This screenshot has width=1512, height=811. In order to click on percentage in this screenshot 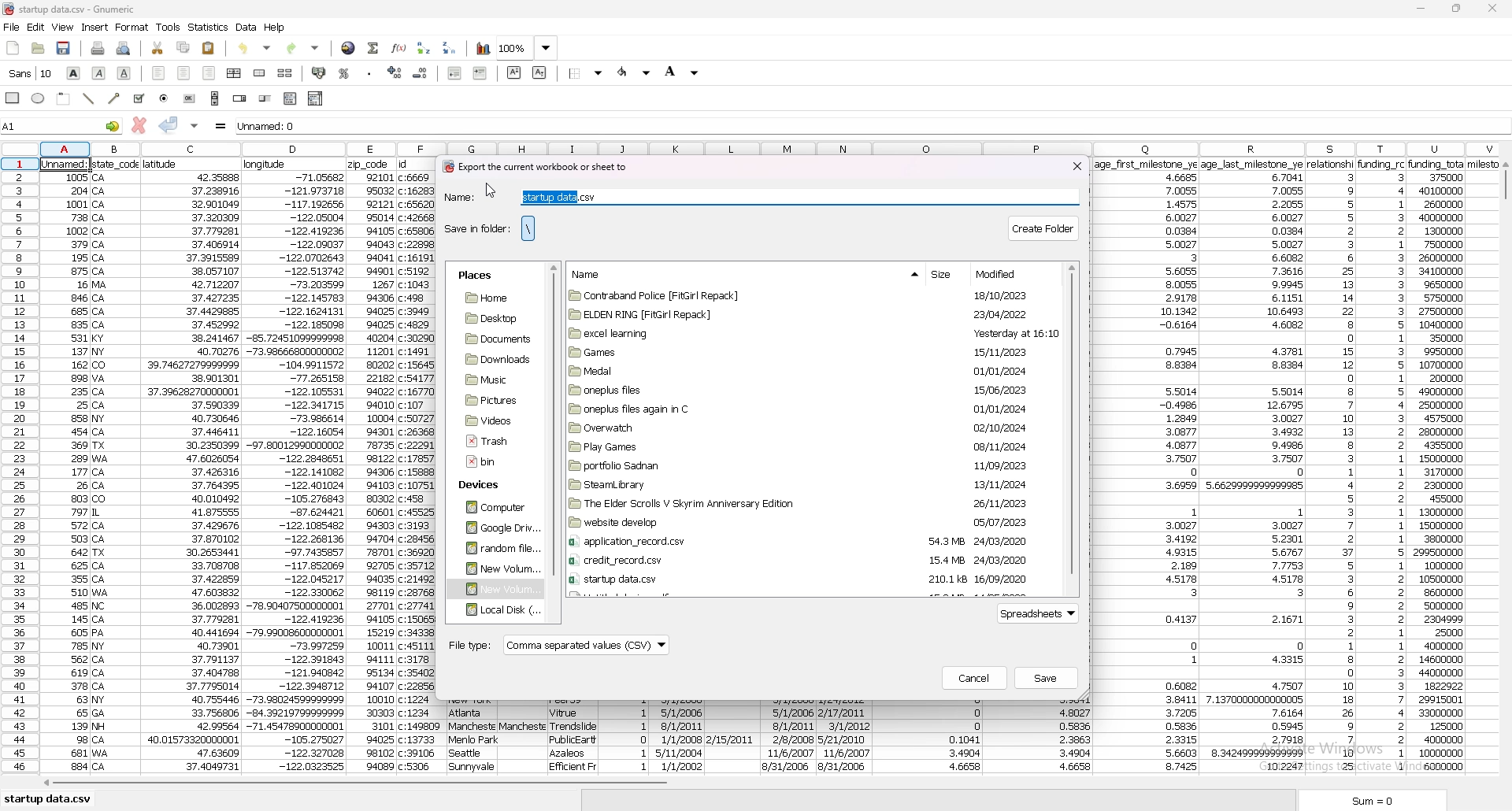, I will do `click(345, 73)`.